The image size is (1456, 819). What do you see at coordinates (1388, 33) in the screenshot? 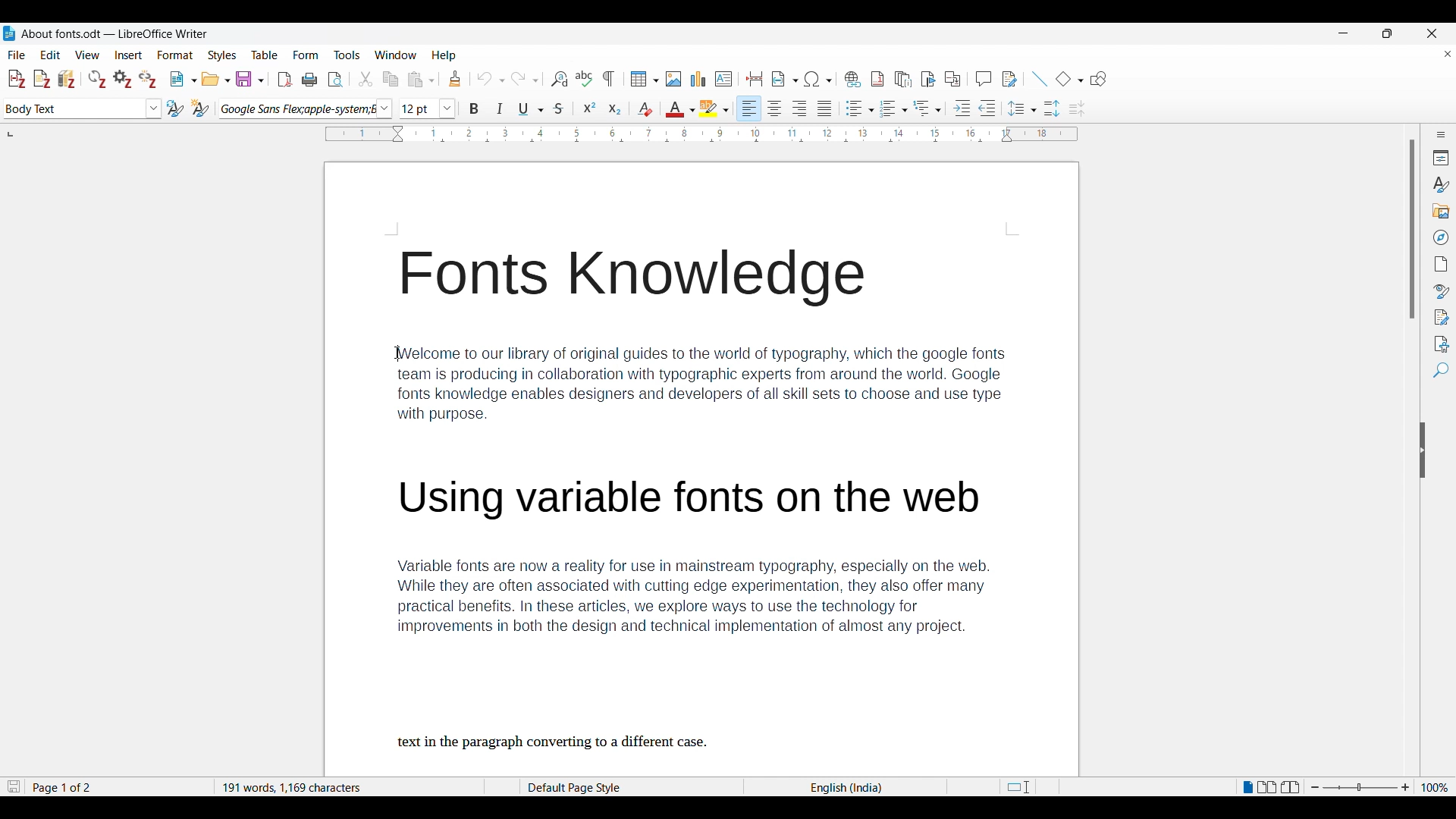
I see `Show in smaller tab` at bounding box center [1388, 33].